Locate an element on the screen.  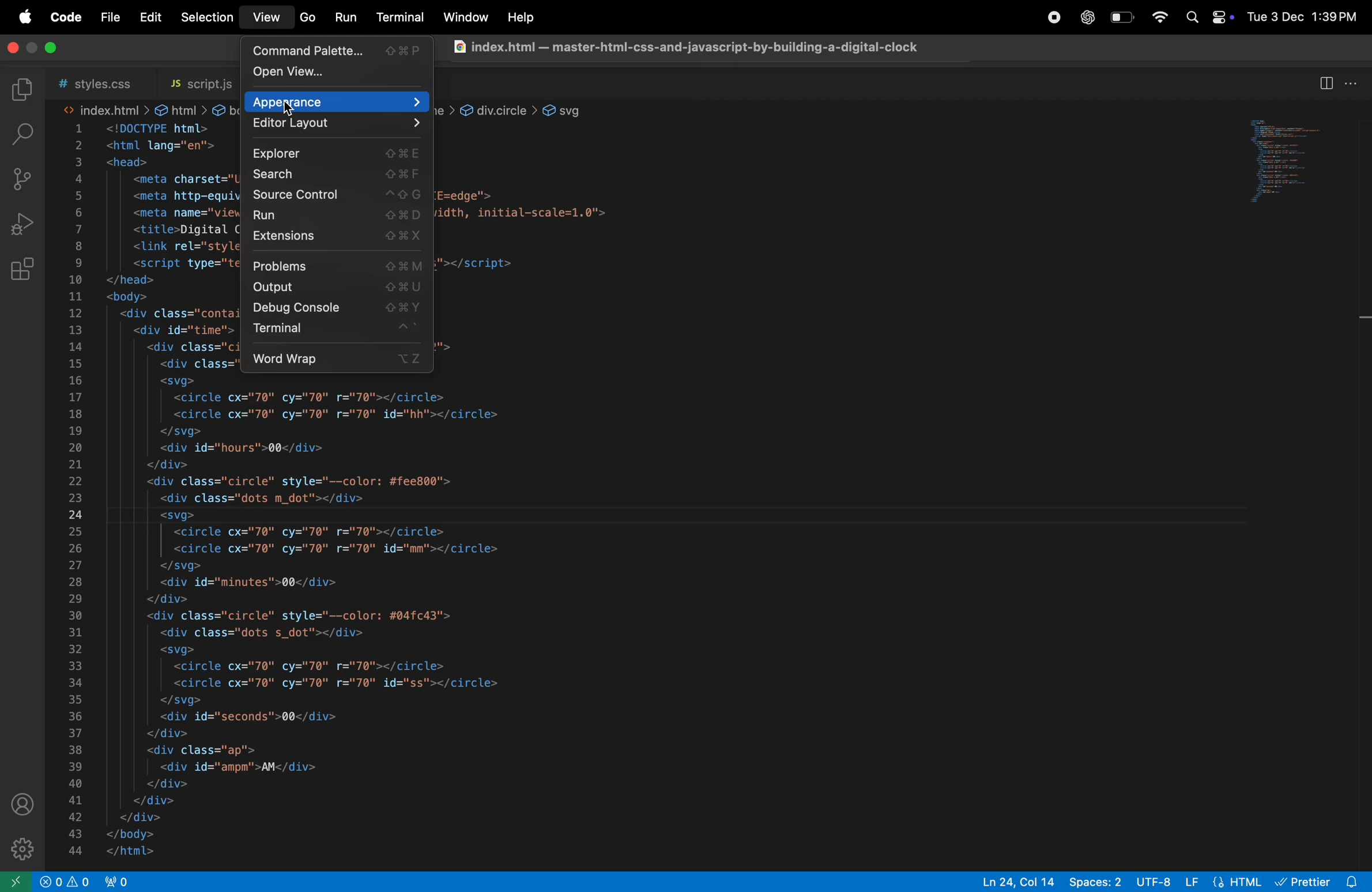
source control is located at coordinates (331, 195).